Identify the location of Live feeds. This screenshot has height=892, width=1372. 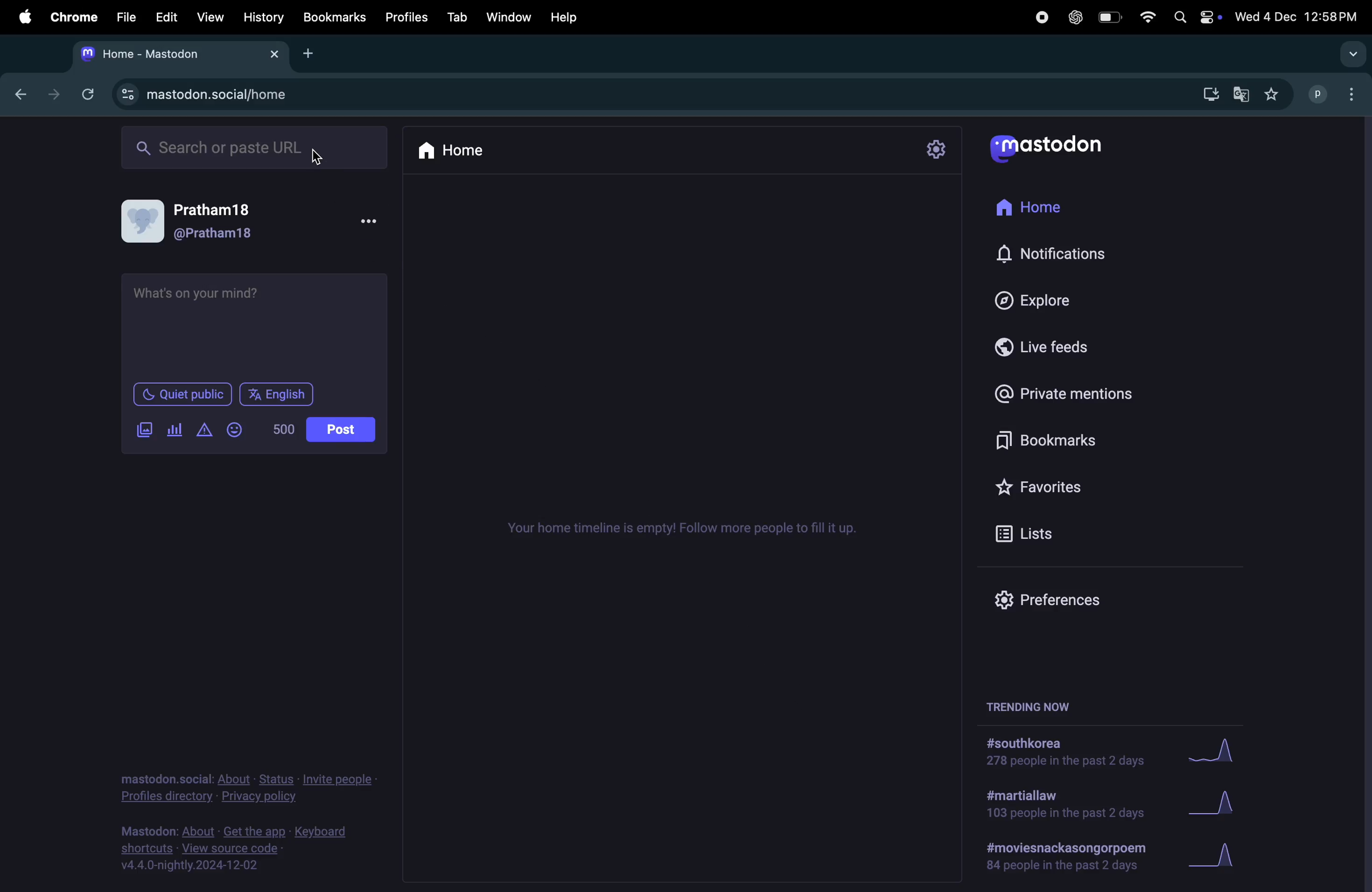
(1066, 351).